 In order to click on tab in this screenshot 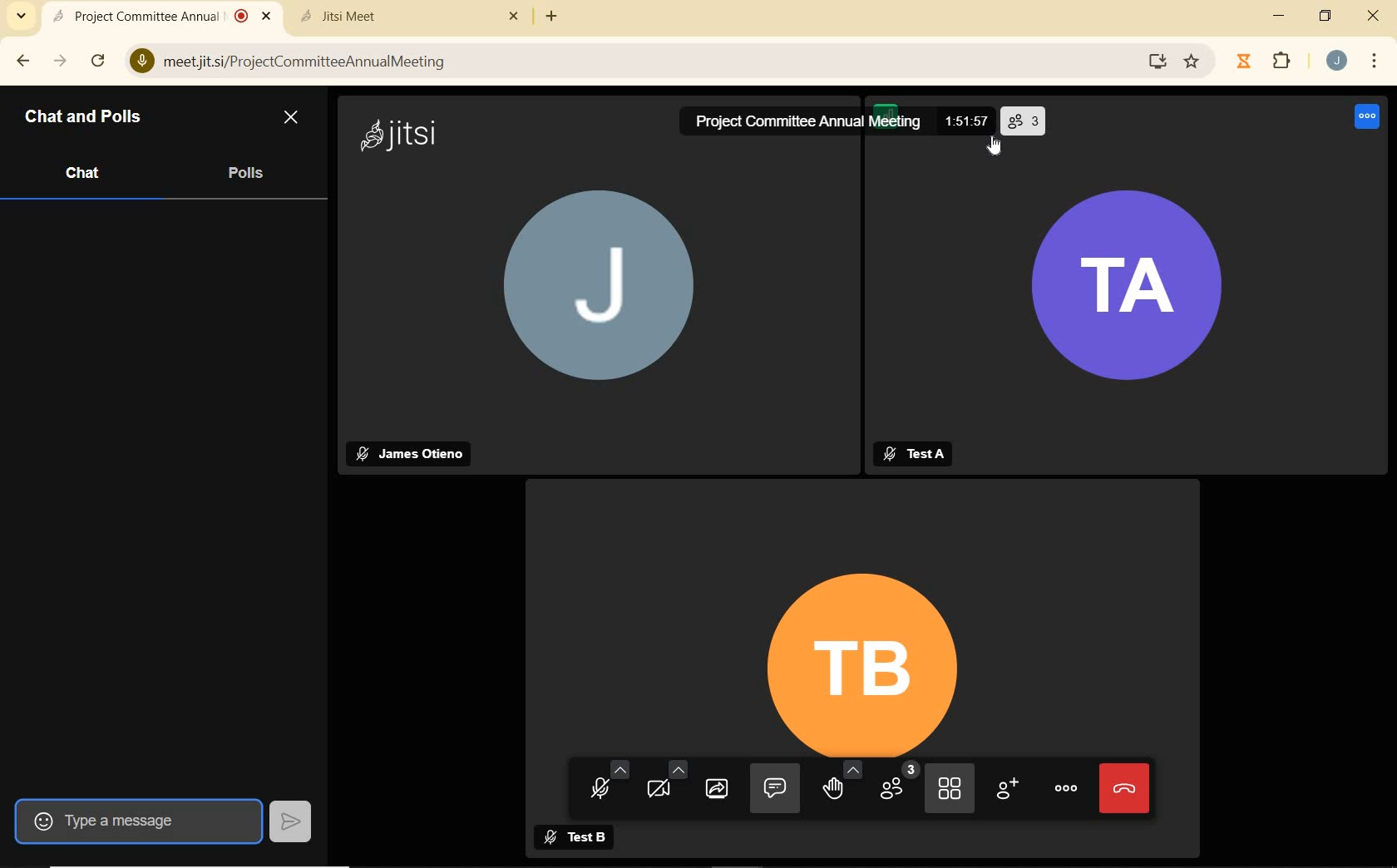, I will do `click(395, 18)`.